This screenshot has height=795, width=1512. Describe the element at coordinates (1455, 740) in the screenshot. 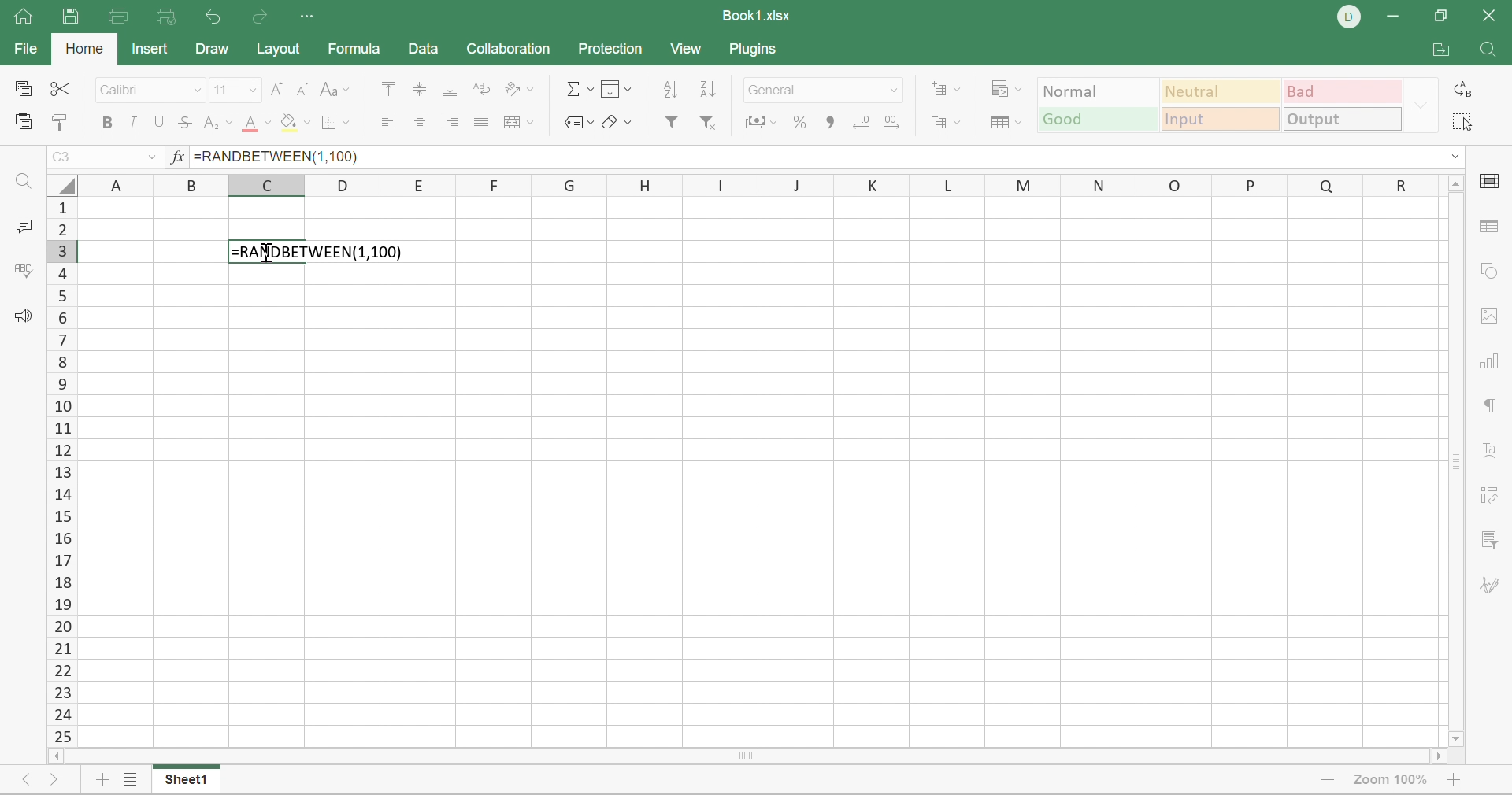

I see `Scroll Down` at that location.